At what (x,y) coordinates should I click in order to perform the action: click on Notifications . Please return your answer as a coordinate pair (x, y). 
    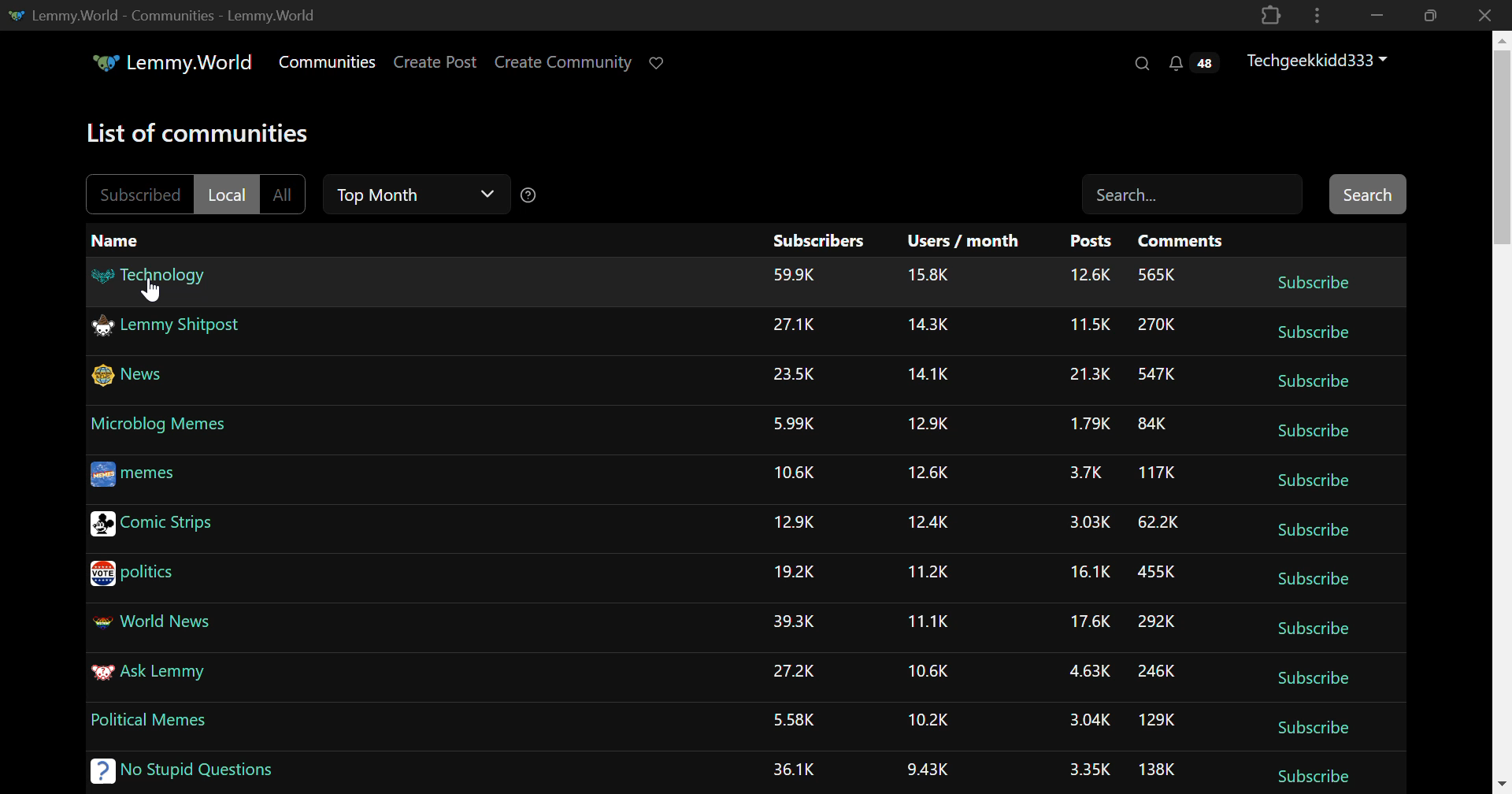
    Looking at the image, I should click on (1191, 65).